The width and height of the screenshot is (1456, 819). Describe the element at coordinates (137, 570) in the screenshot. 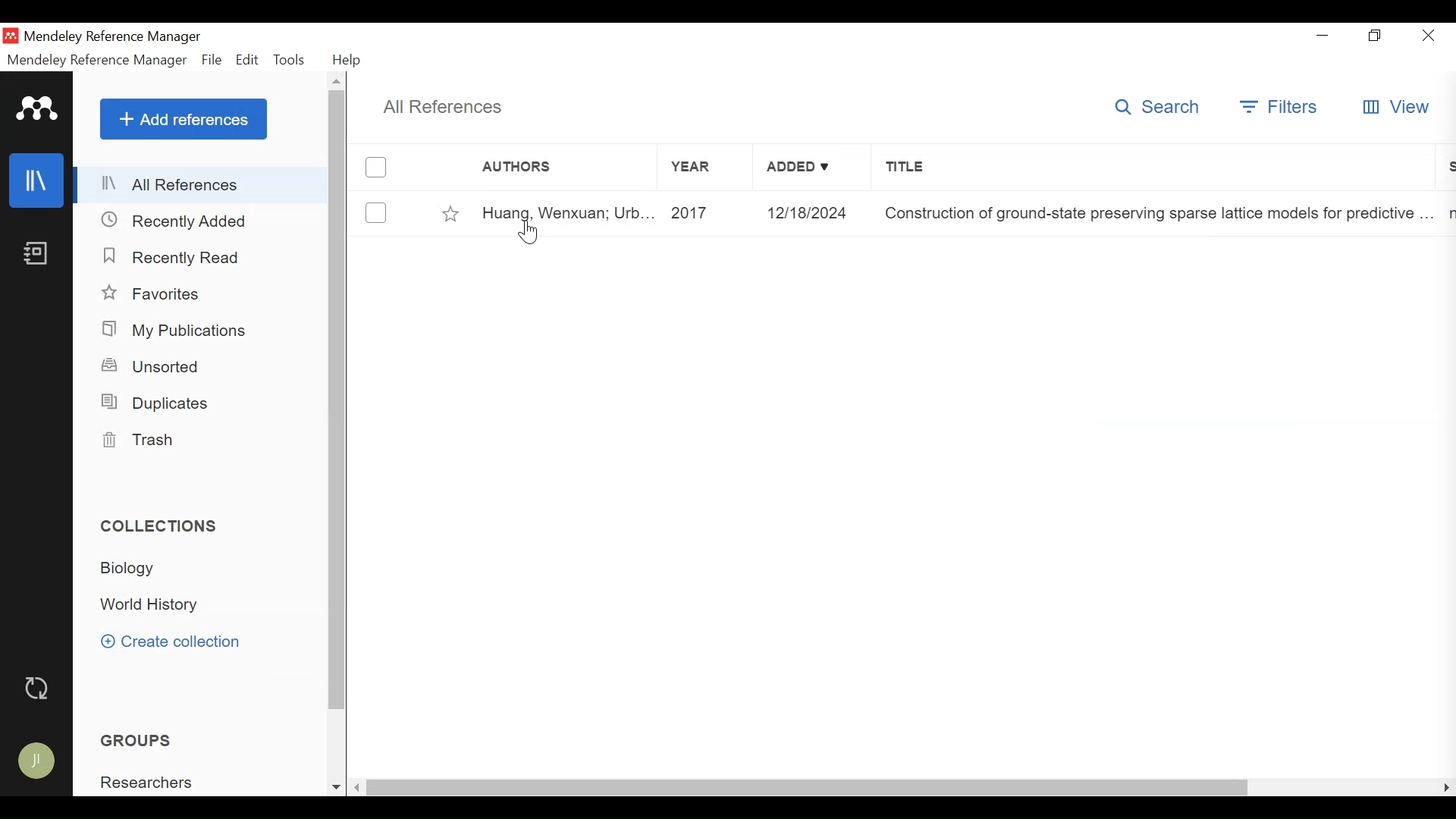

I see `Collection` at that location.